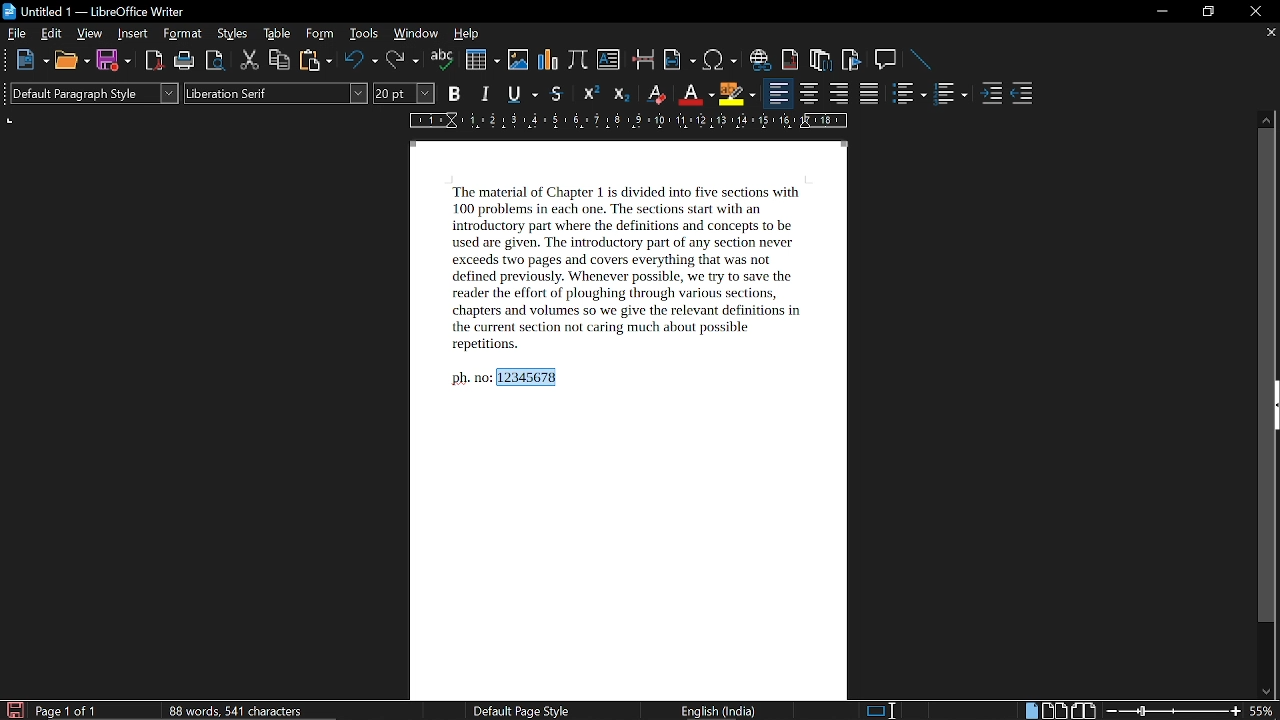 Image resolution: width=1280 pixels, height=720 pixels. What do you see at coordinates (654, 94) in the screenshot?
I see `eraser` at bounding box center [654, 94].